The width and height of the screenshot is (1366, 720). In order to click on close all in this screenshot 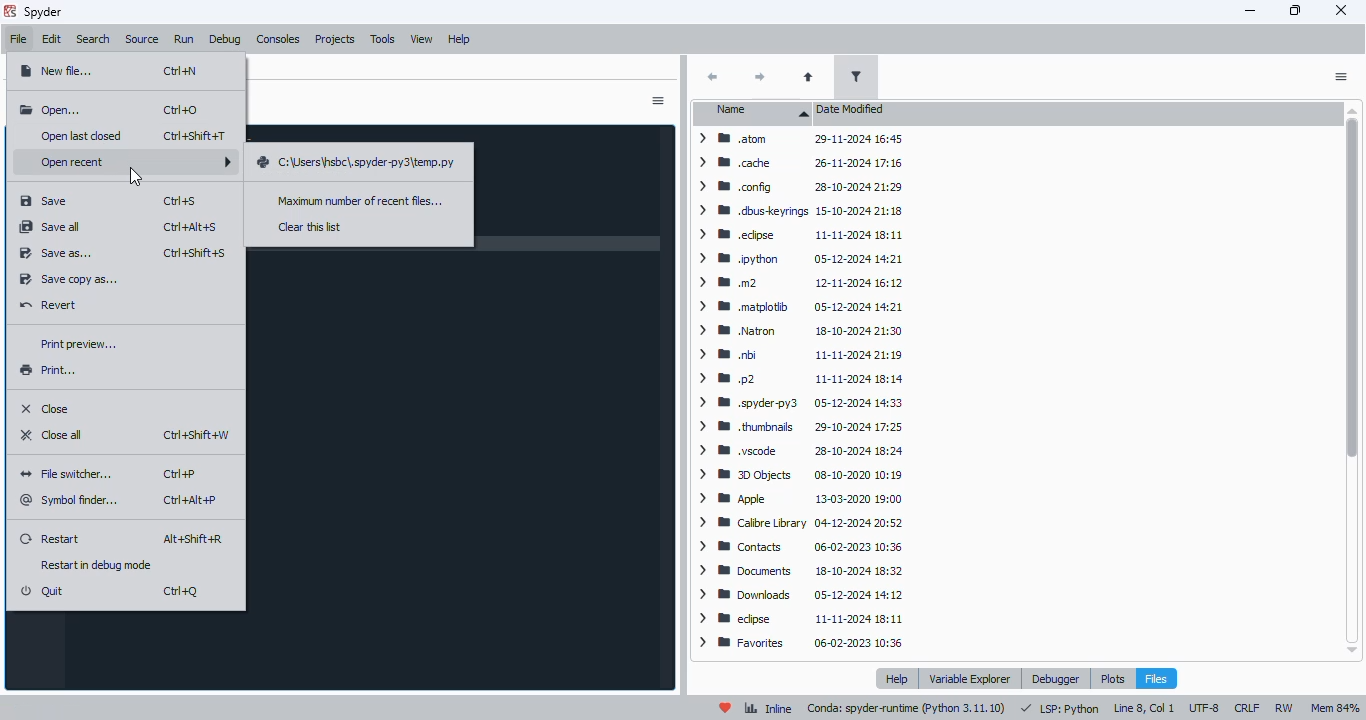, I will do `click(52, 434)`.